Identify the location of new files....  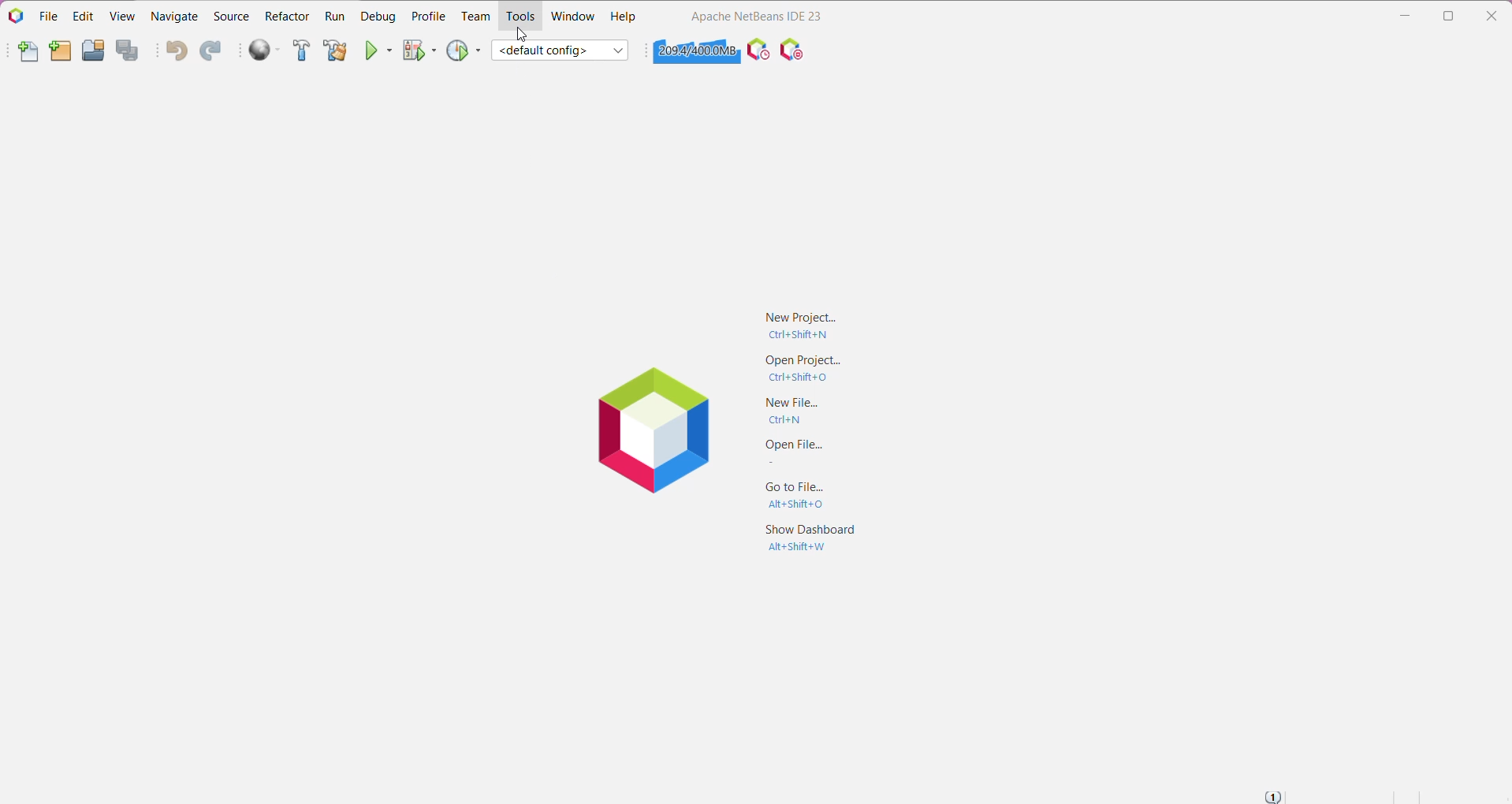
(800, 412).